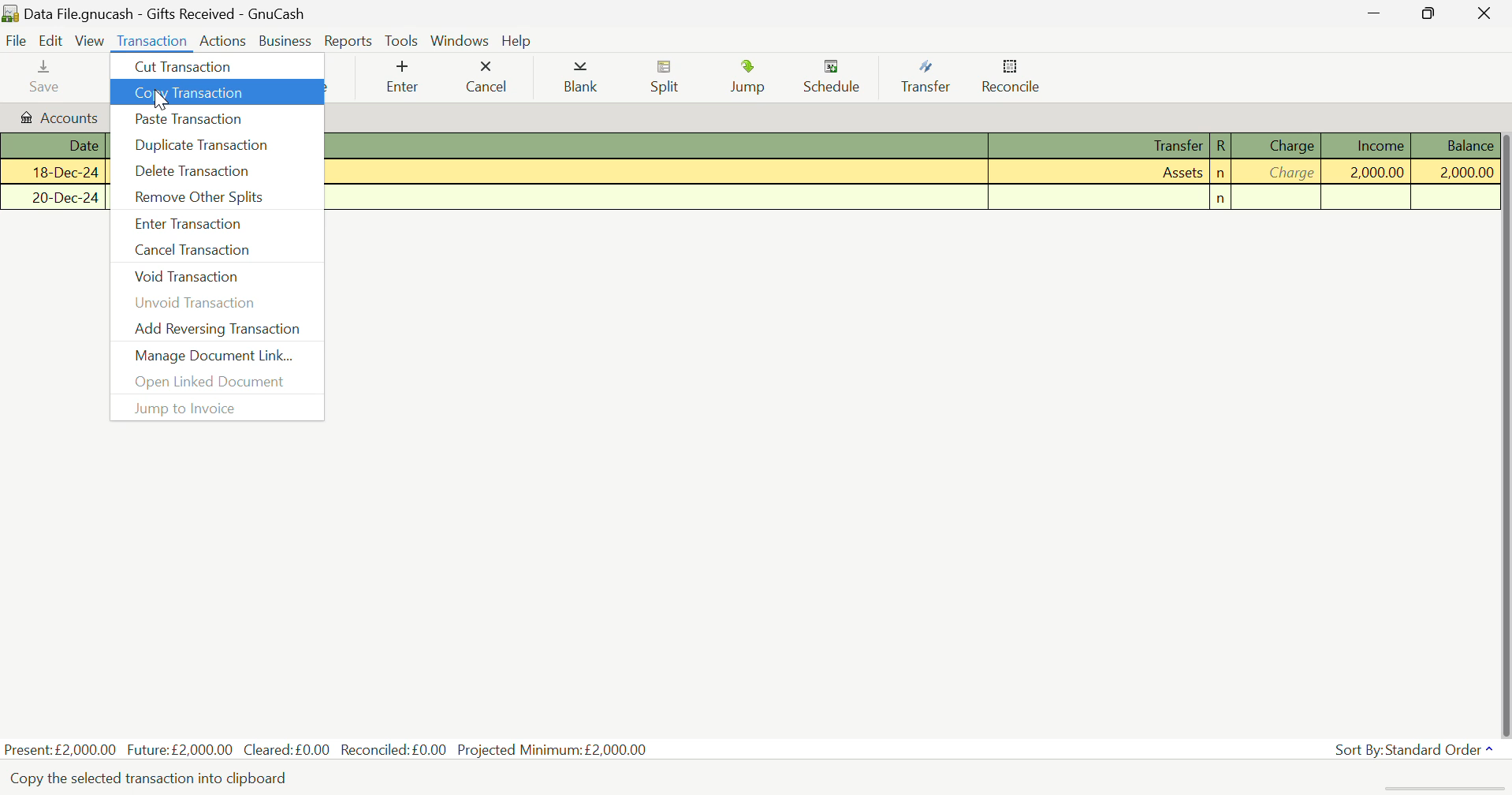  What do you see at coordinates (282, 39) in the screenshot?
I see `Business` at bounding box center [282, 39].